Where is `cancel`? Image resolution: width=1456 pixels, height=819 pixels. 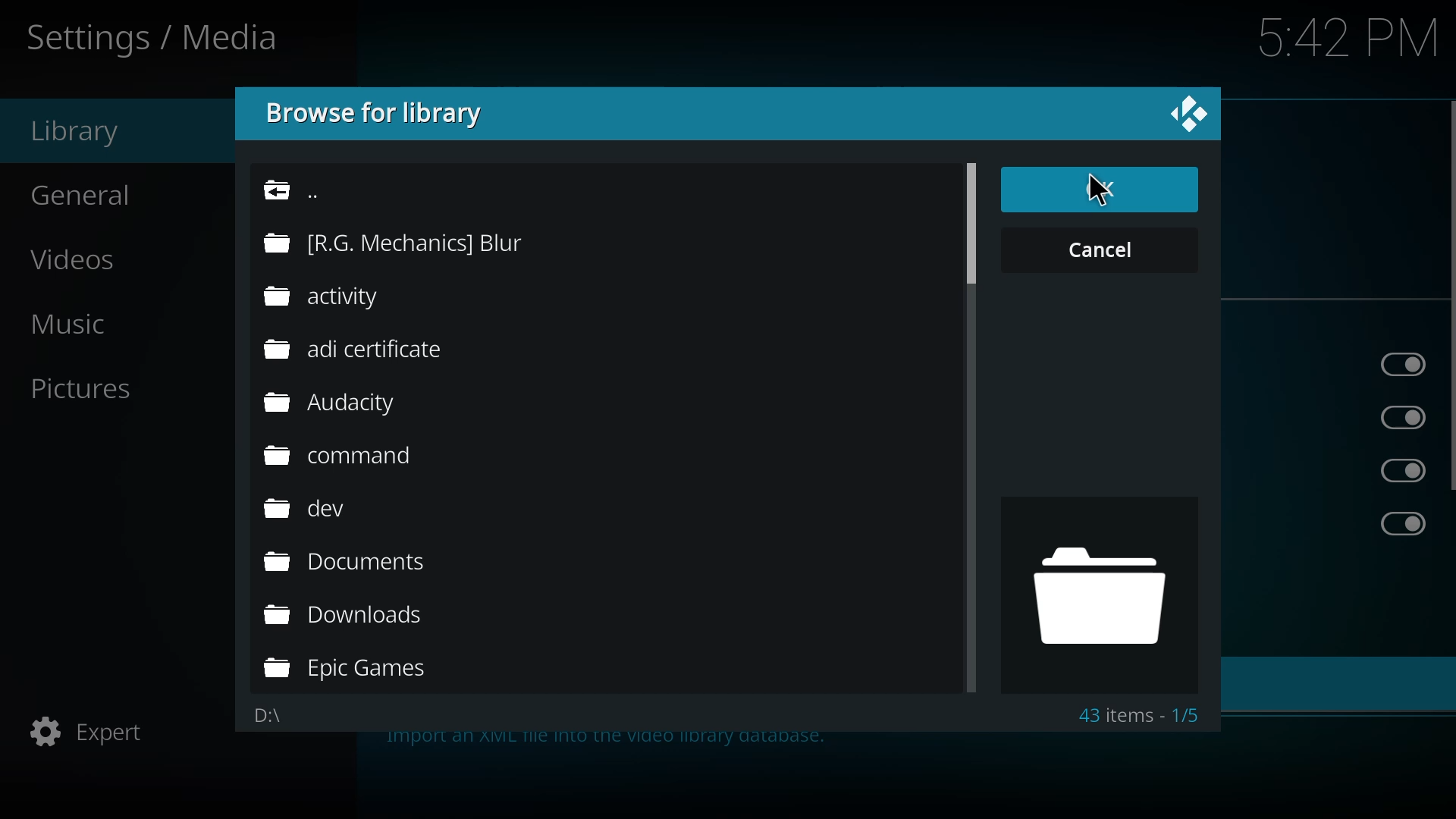 cancel is located at coordinates (1093, 249).